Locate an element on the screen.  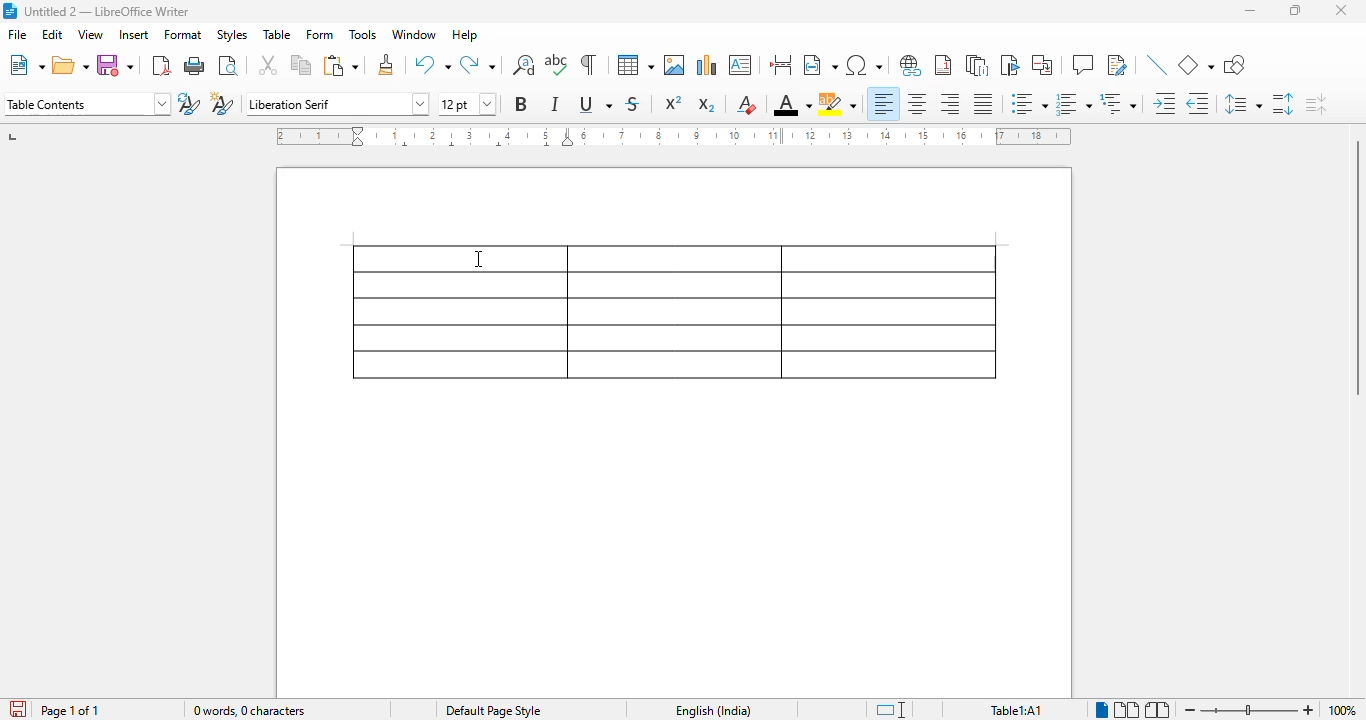
cursor is located at coordinates (478, 259).